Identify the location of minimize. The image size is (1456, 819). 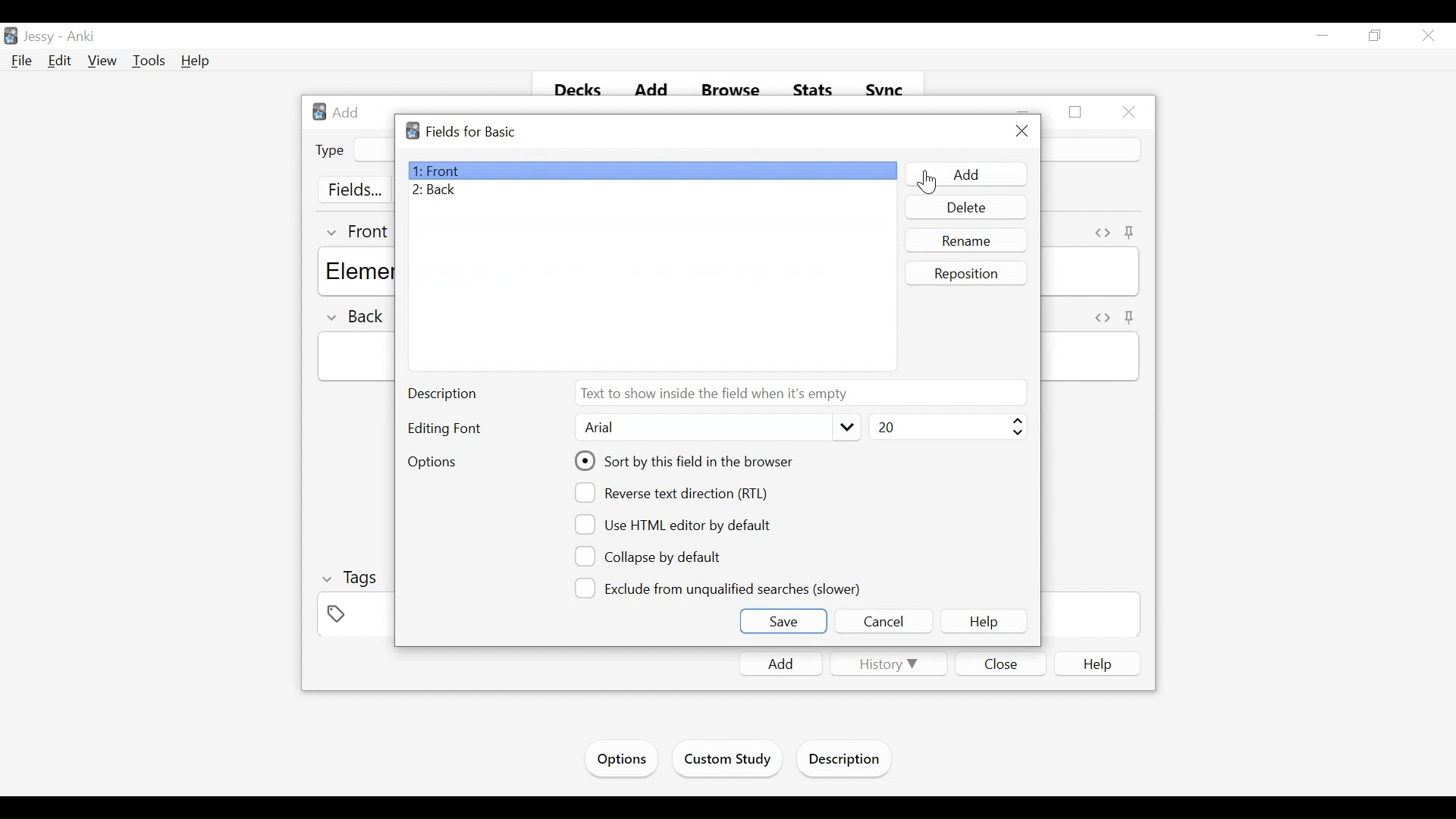
(1323, 36).